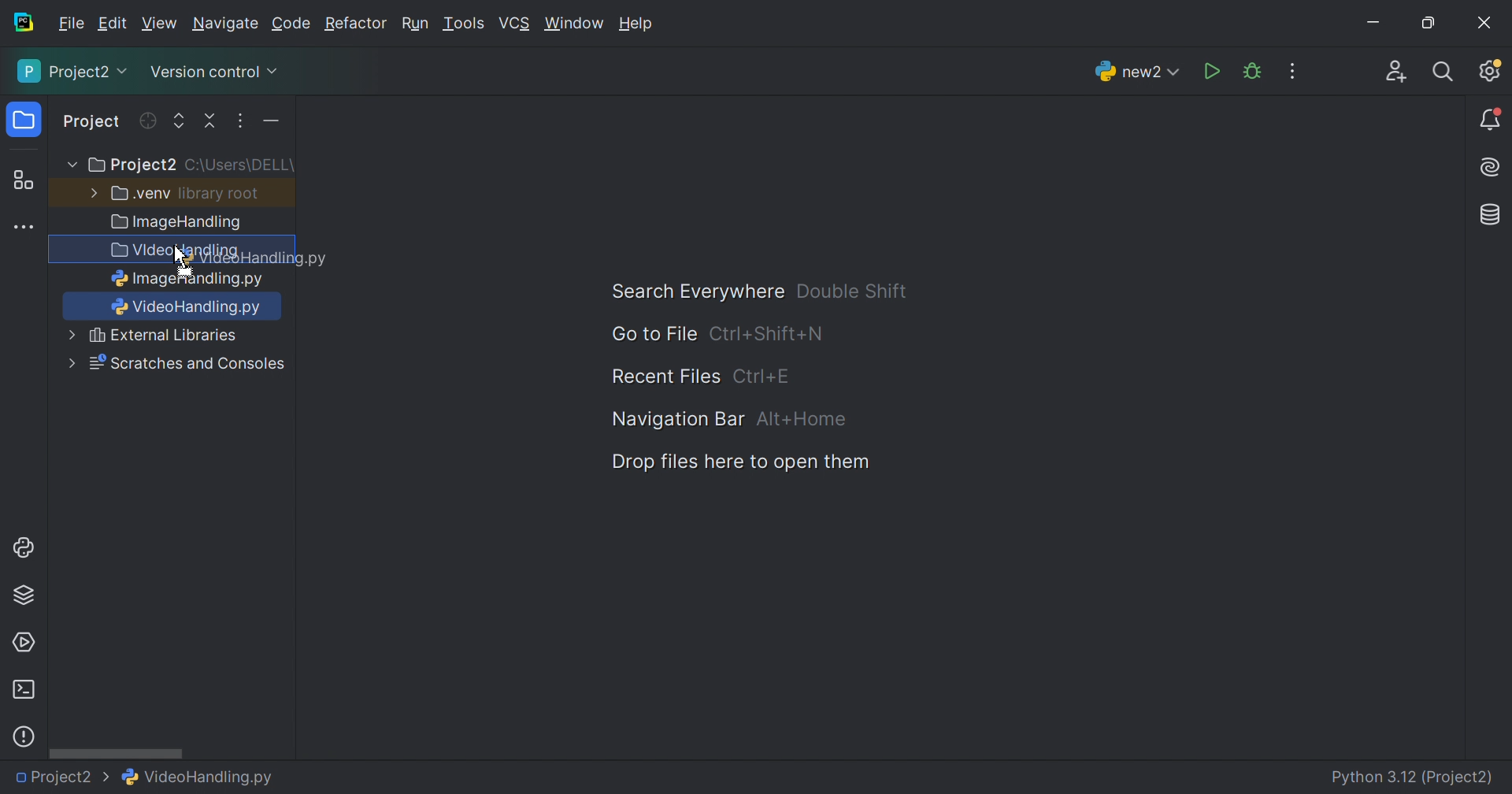  Describe the element at coordinates (112, 24) in the screenshot. I see `Edit` at that location.